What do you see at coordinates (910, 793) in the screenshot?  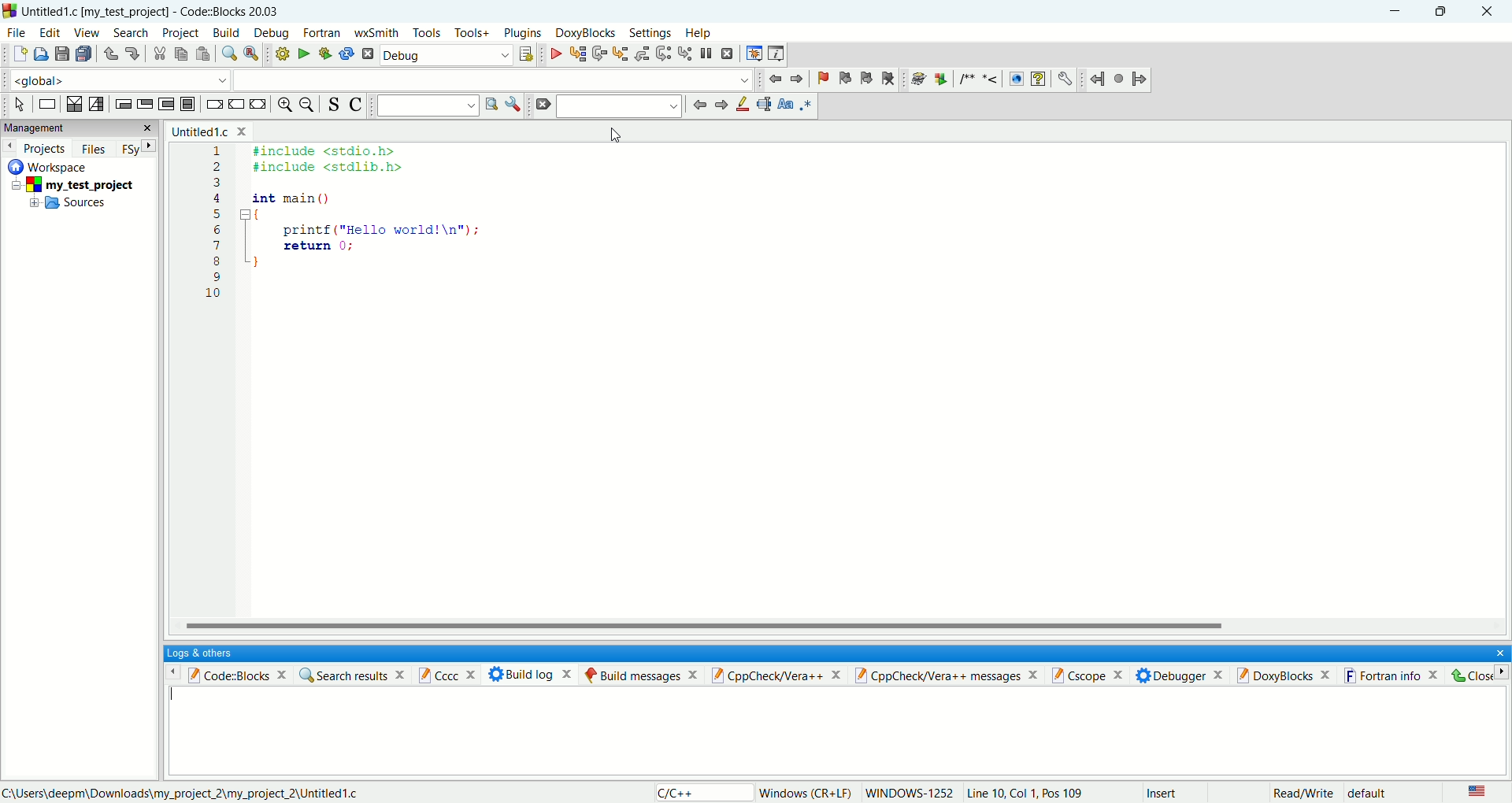 I see `WINDOWS-1252` at bounding box center [910, 793].